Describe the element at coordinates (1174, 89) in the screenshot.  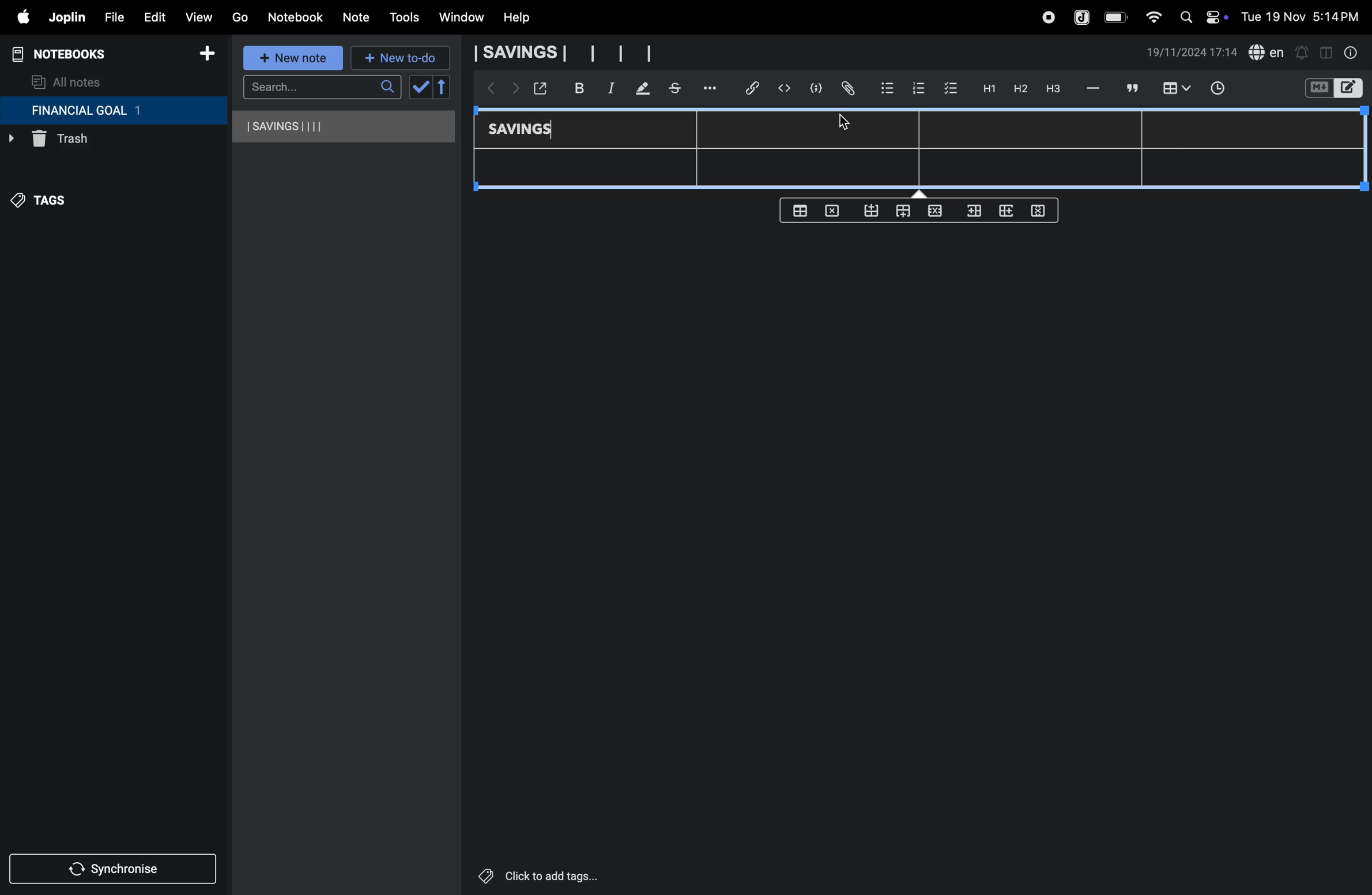
I see `insert table` at that location.